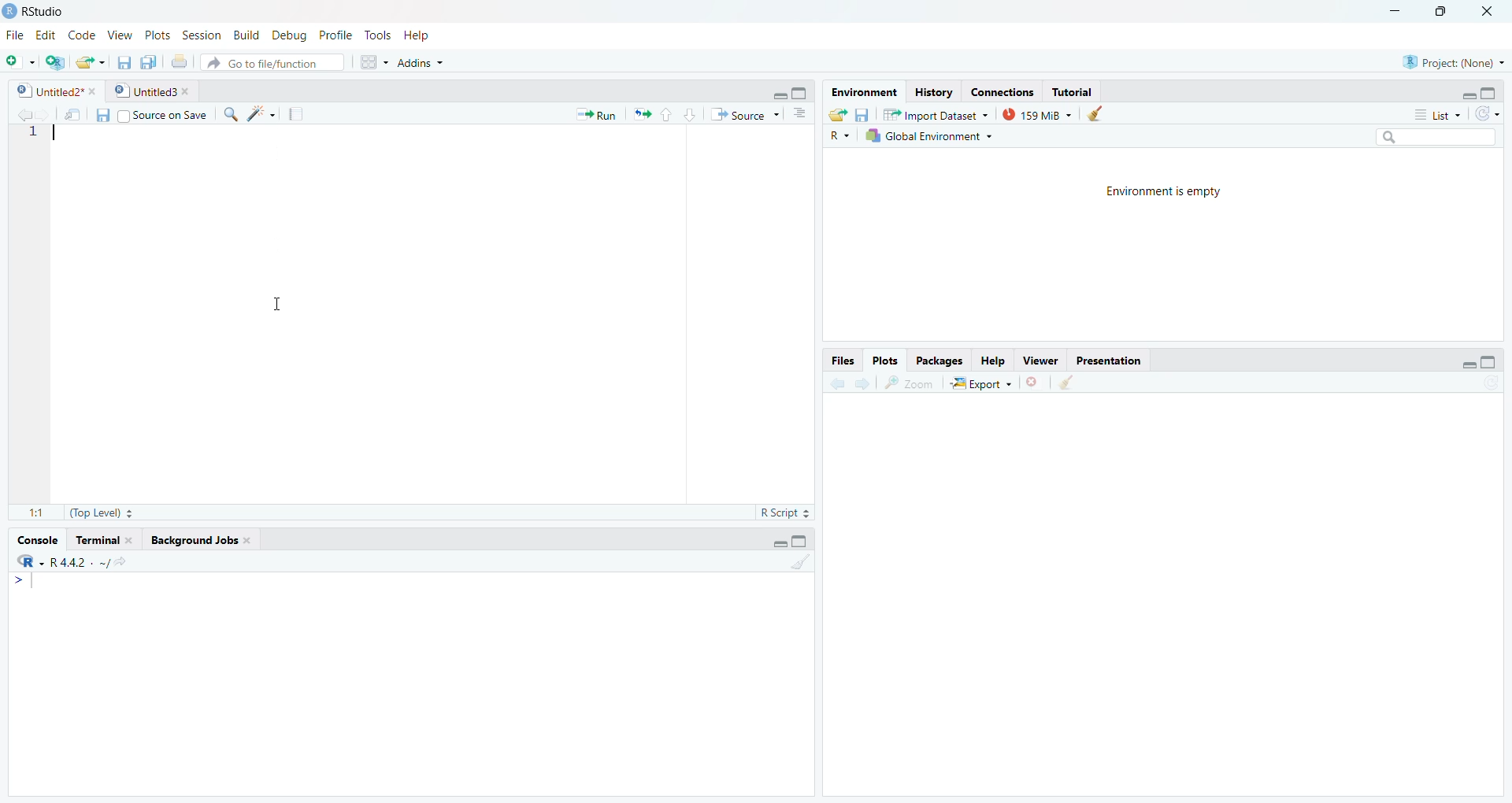  I want to click on Terminal, so click(104, 541).